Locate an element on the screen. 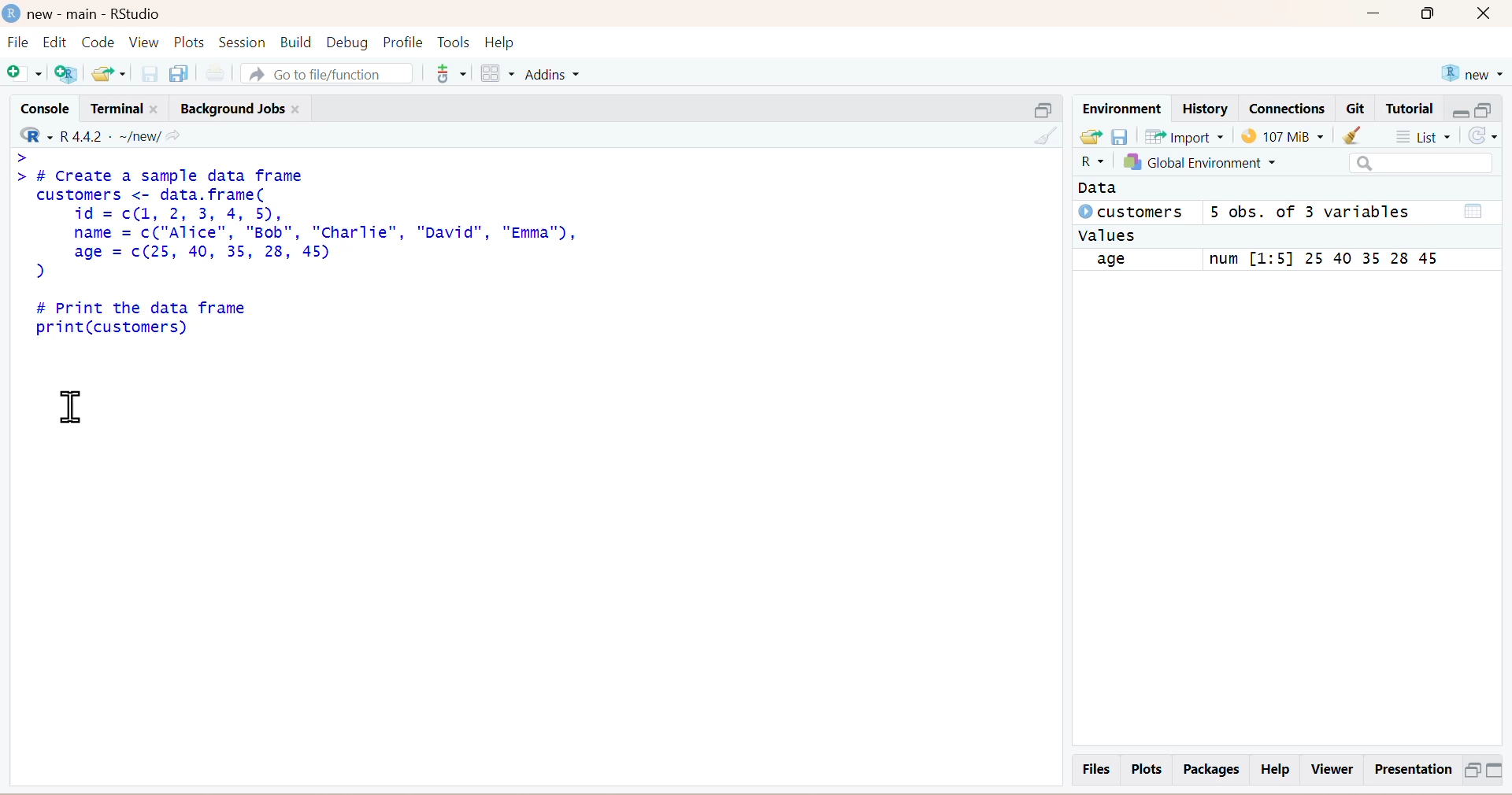 The height and width of the screenshot is (795, 1512). Minimize is located at coordinates (1376, 17).